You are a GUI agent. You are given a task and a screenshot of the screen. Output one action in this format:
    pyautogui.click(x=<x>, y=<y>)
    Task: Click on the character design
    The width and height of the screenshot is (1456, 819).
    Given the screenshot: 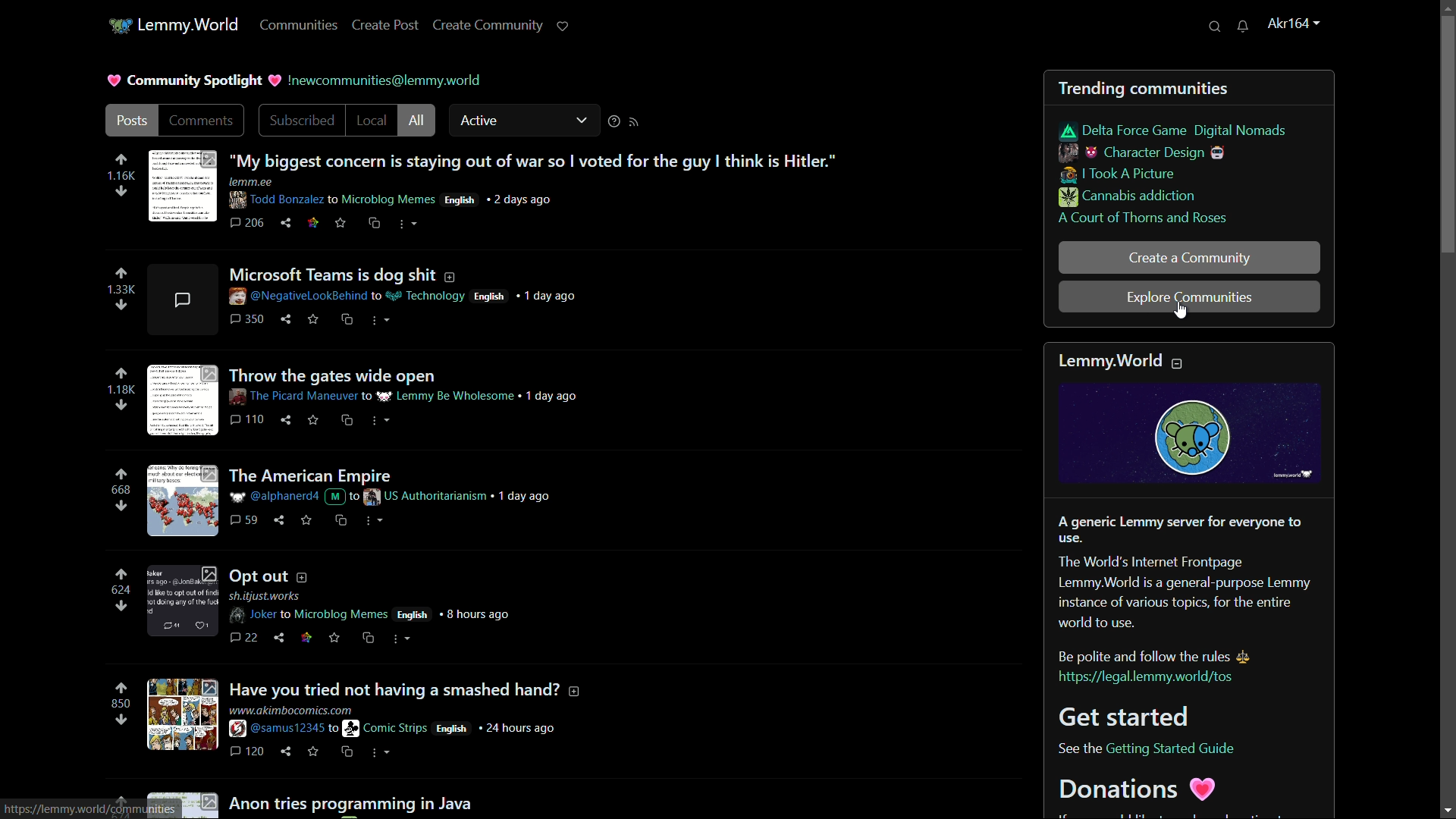 What is the action you would take?
    pyautogui.click(x=1144, y=153)
    